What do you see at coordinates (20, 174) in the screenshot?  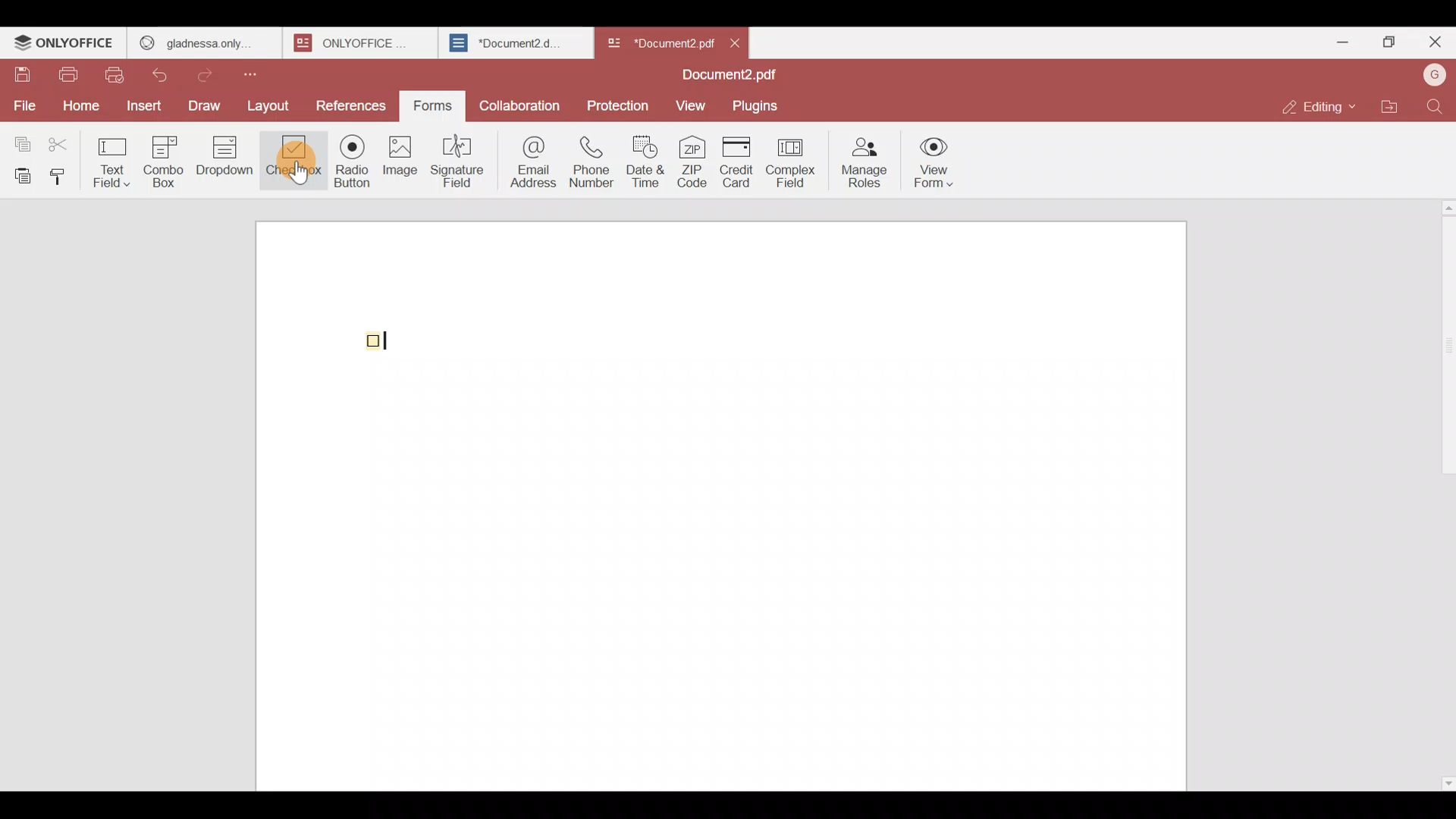 I see `Paste` at bounding box center [20, 174].